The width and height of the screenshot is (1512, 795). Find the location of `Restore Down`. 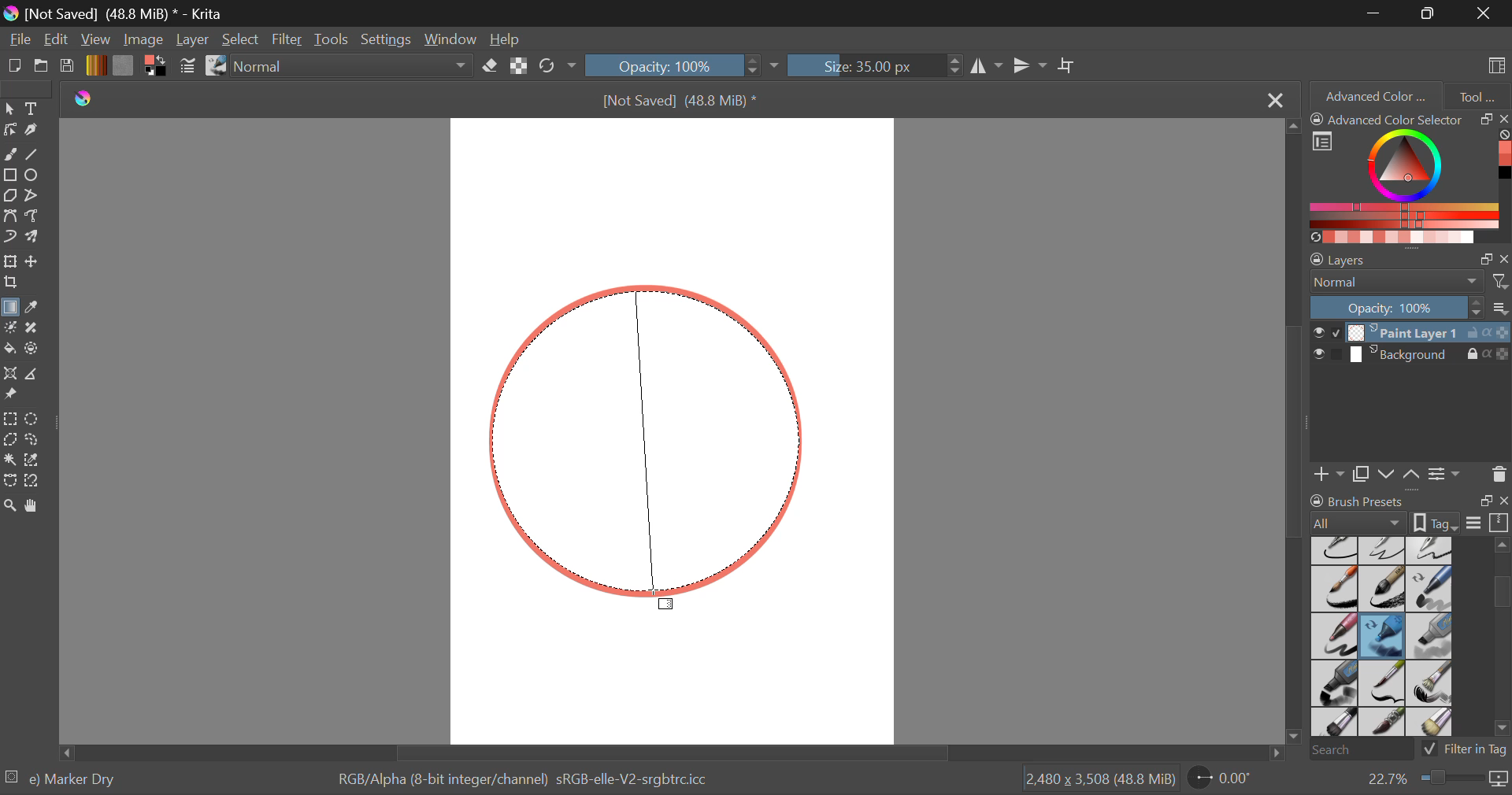

Restore Down is located at coordinates (1377, 13).